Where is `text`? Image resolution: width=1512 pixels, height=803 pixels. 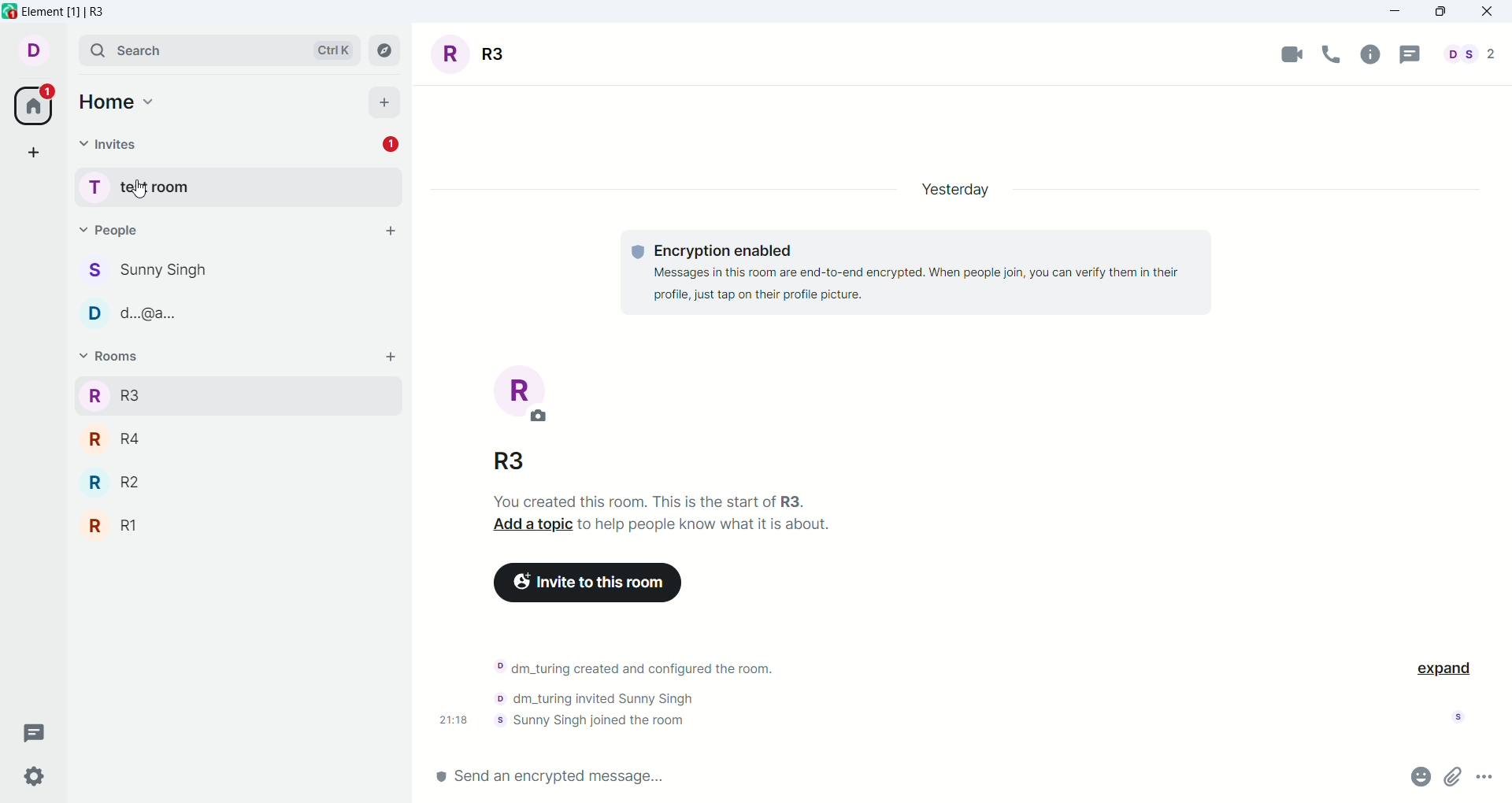 text is located at coordinates (639, 500).